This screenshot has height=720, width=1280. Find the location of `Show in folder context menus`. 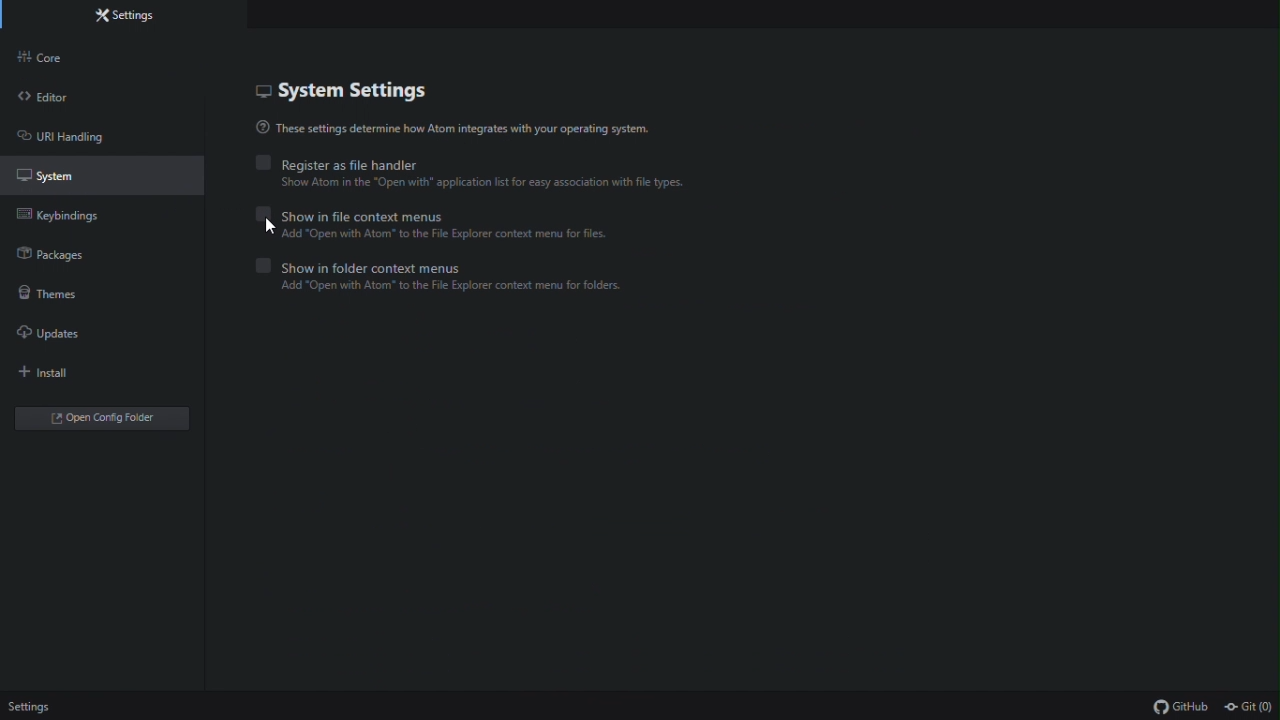

Show in folder context menus is located at coordinates (374, 266).